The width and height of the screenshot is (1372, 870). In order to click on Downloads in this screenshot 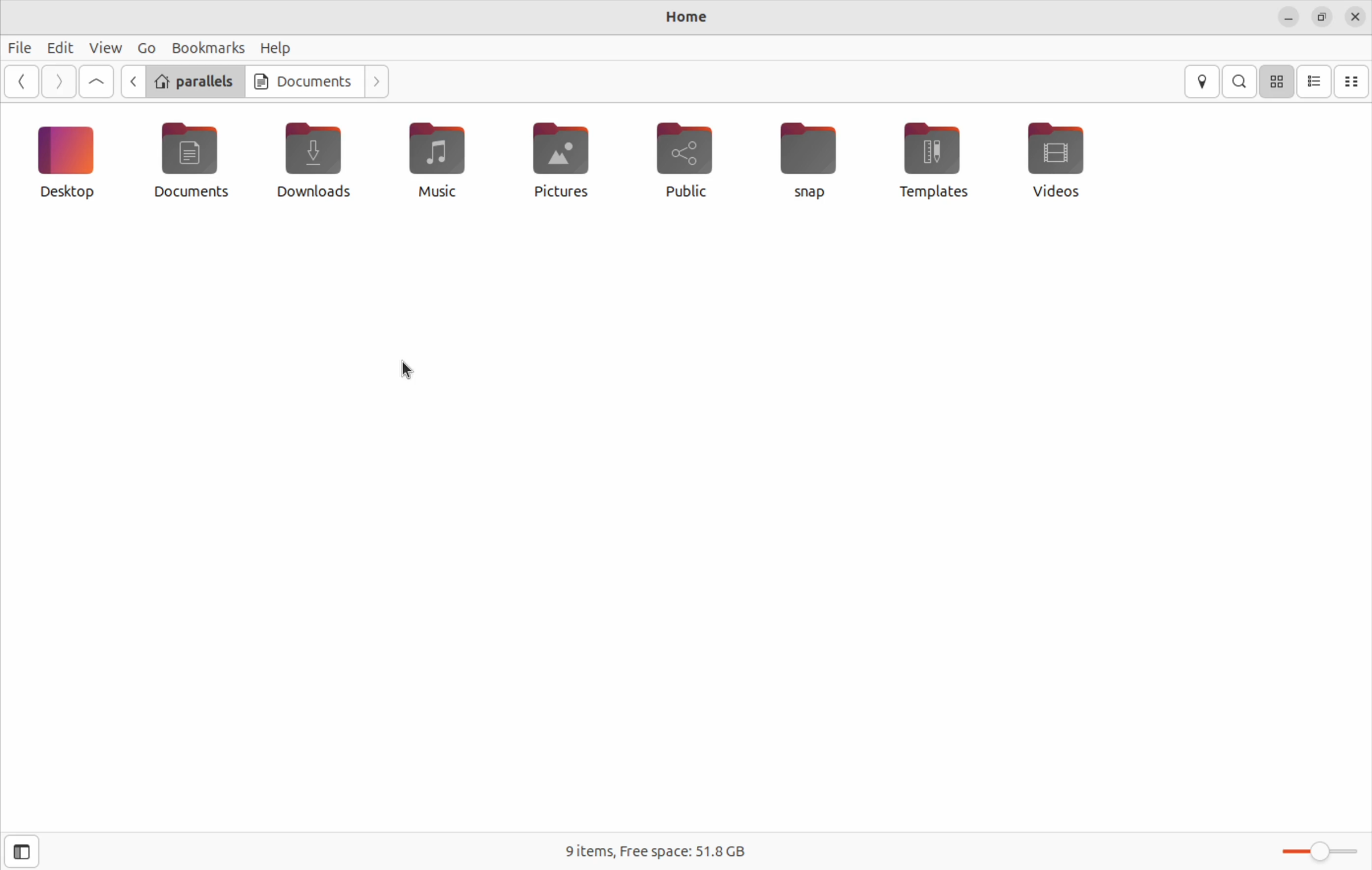, I will do `click(70, 162)`.